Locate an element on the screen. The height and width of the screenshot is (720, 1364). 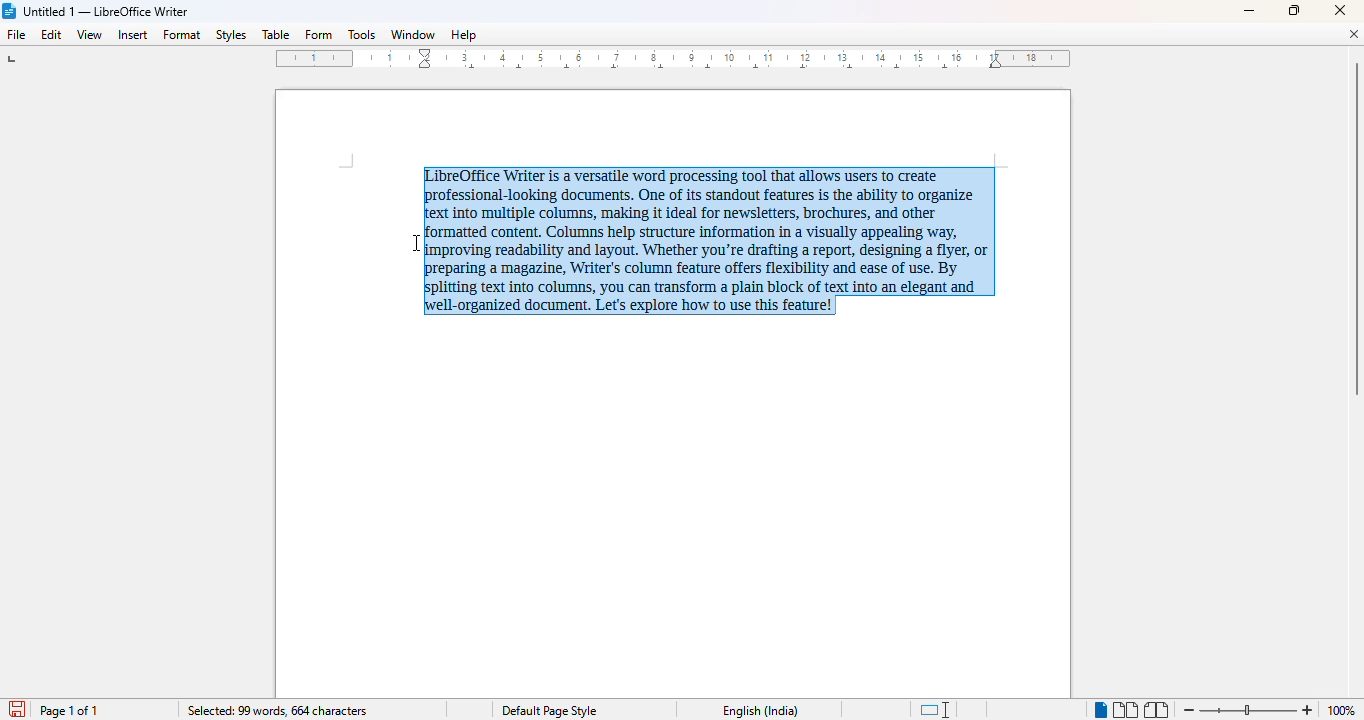
book view is located at coordinates (1156, 710).